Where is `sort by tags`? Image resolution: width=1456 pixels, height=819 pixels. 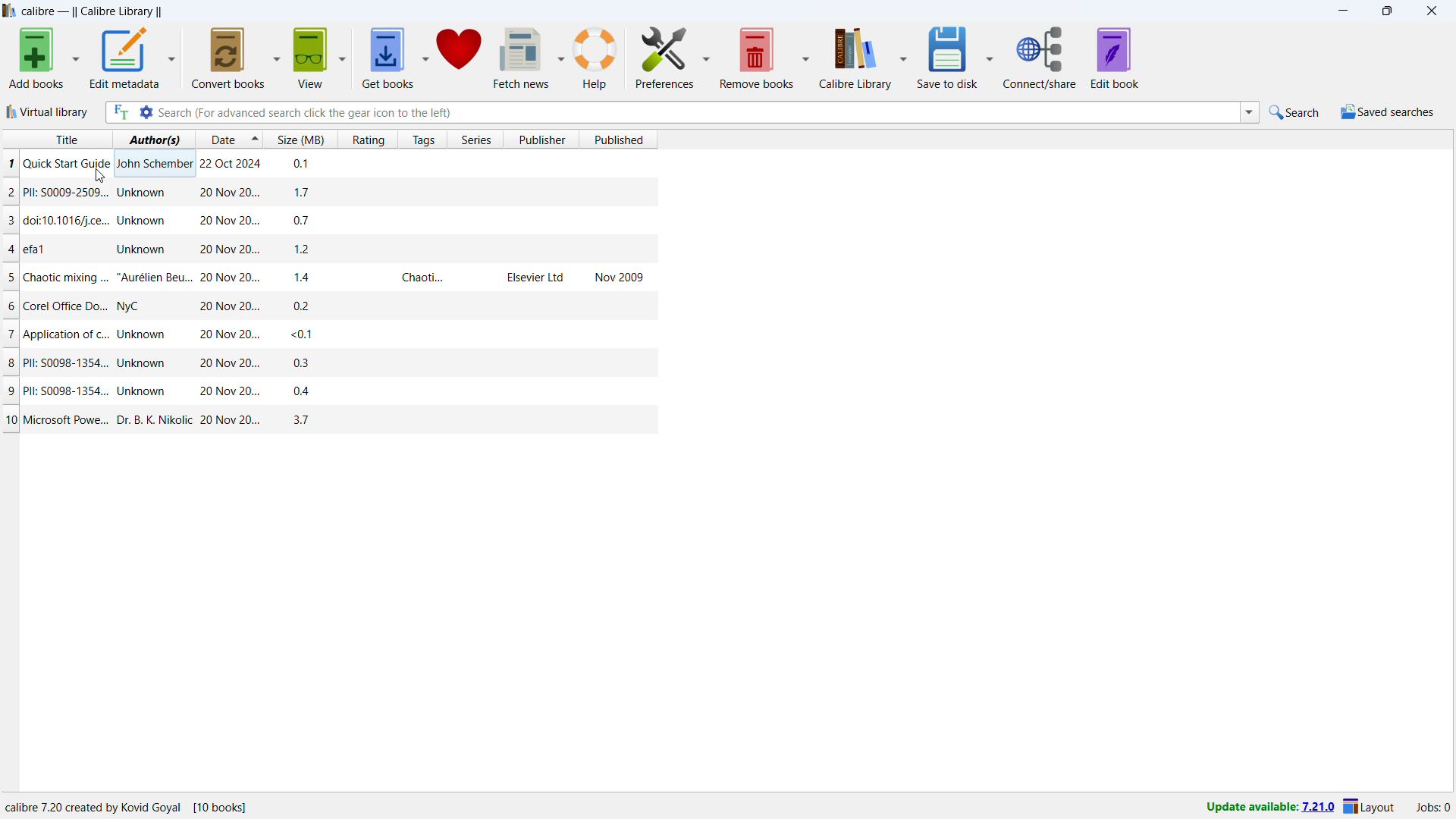 sort by tags is located at coordinates (422, 139).